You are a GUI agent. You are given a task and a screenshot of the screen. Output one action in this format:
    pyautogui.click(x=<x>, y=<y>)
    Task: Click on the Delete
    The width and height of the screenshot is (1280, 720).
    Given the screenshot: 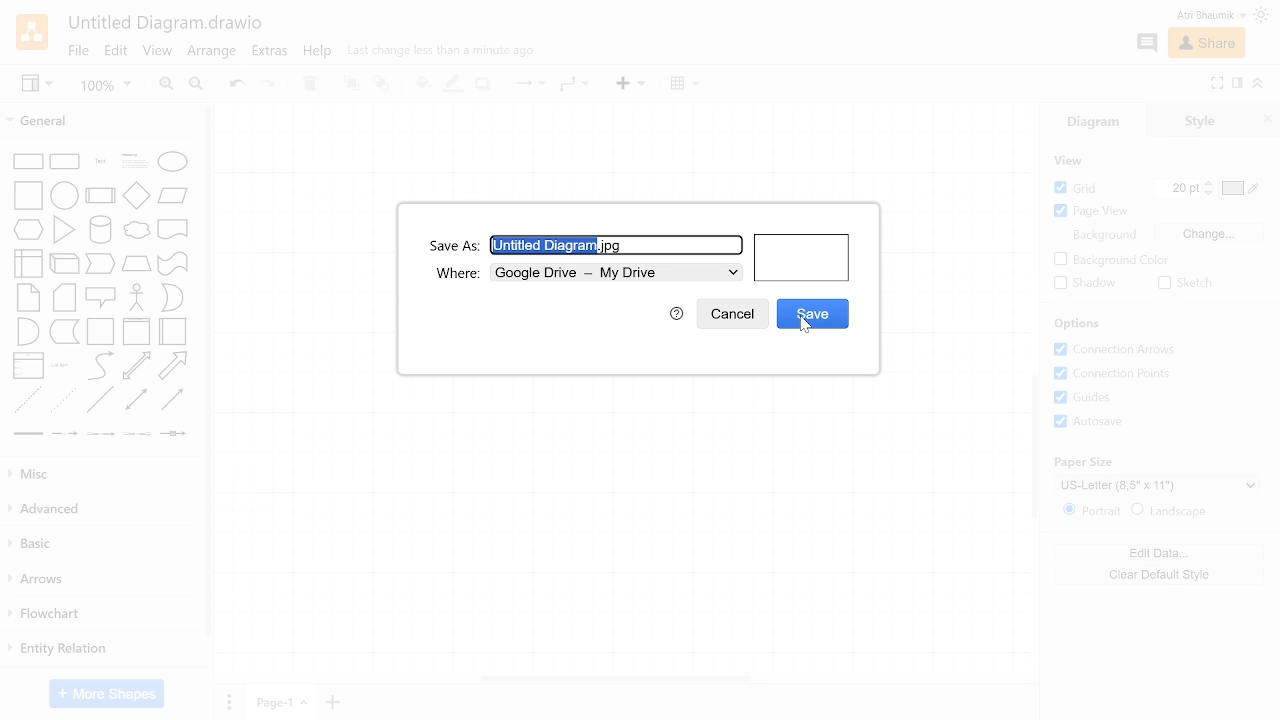 What is the action you would take?
    pyautogui.click(x=310, y=85)
    